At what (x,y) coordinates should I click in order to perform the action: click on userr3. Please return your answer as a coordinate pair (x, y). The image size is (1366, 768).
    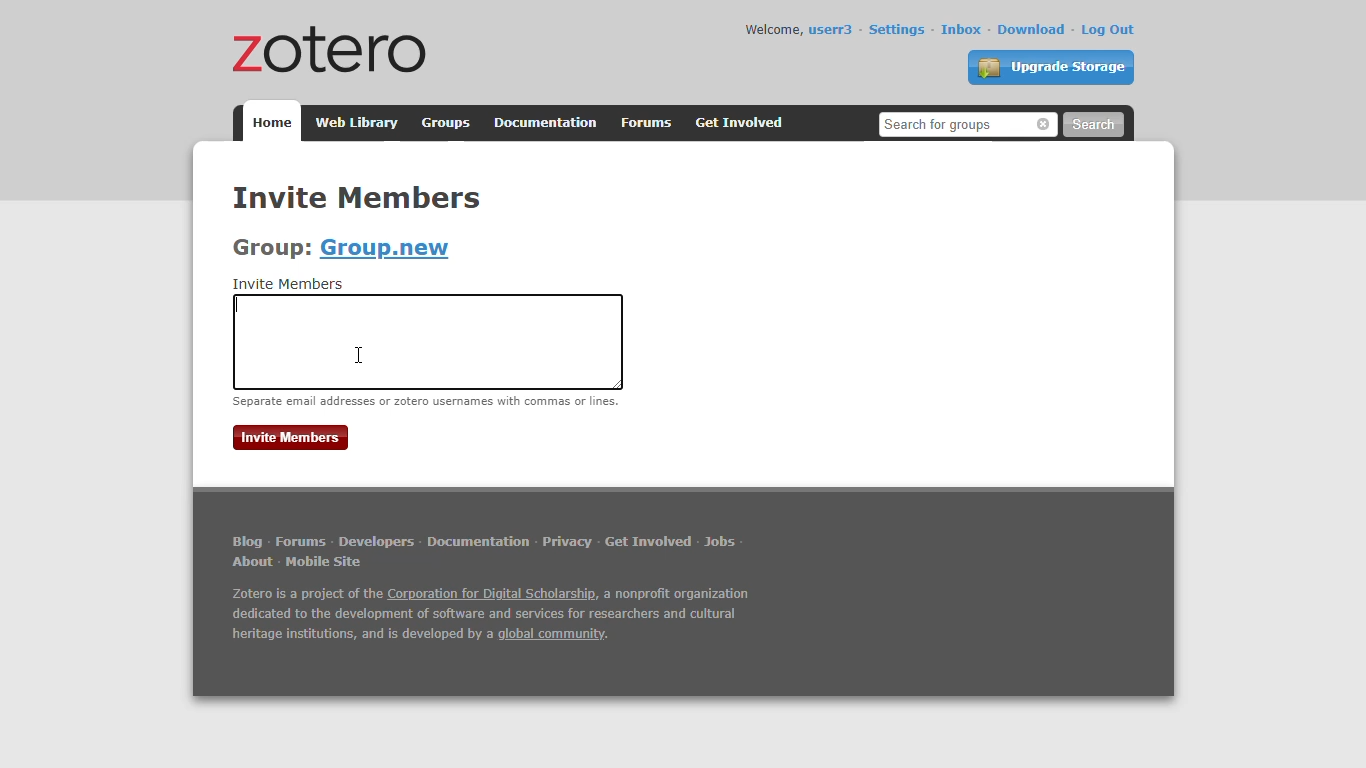
    Looking at the image, I should click on (830, 30).